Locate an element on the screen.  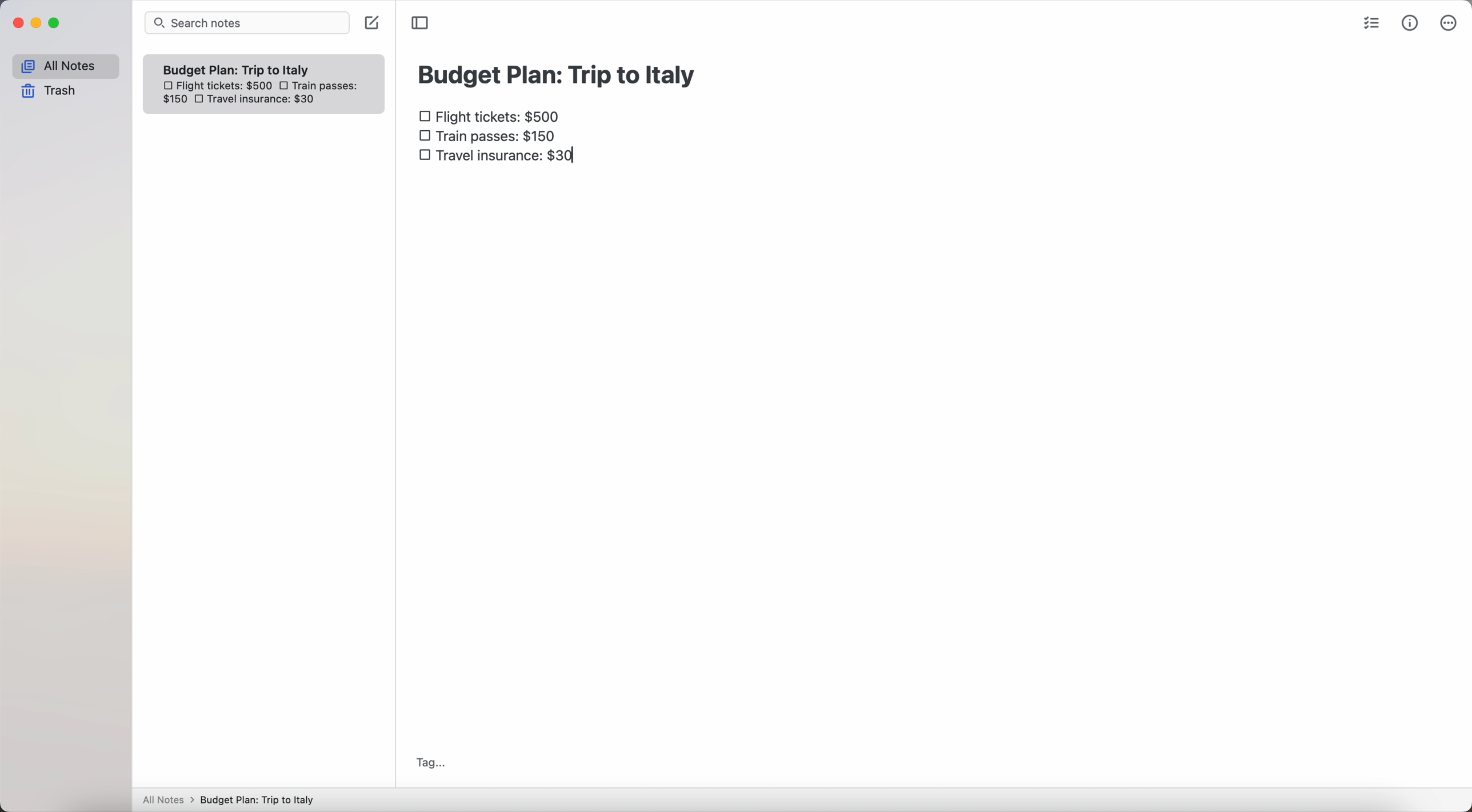
checkbox is located at coordinates (200, 101).